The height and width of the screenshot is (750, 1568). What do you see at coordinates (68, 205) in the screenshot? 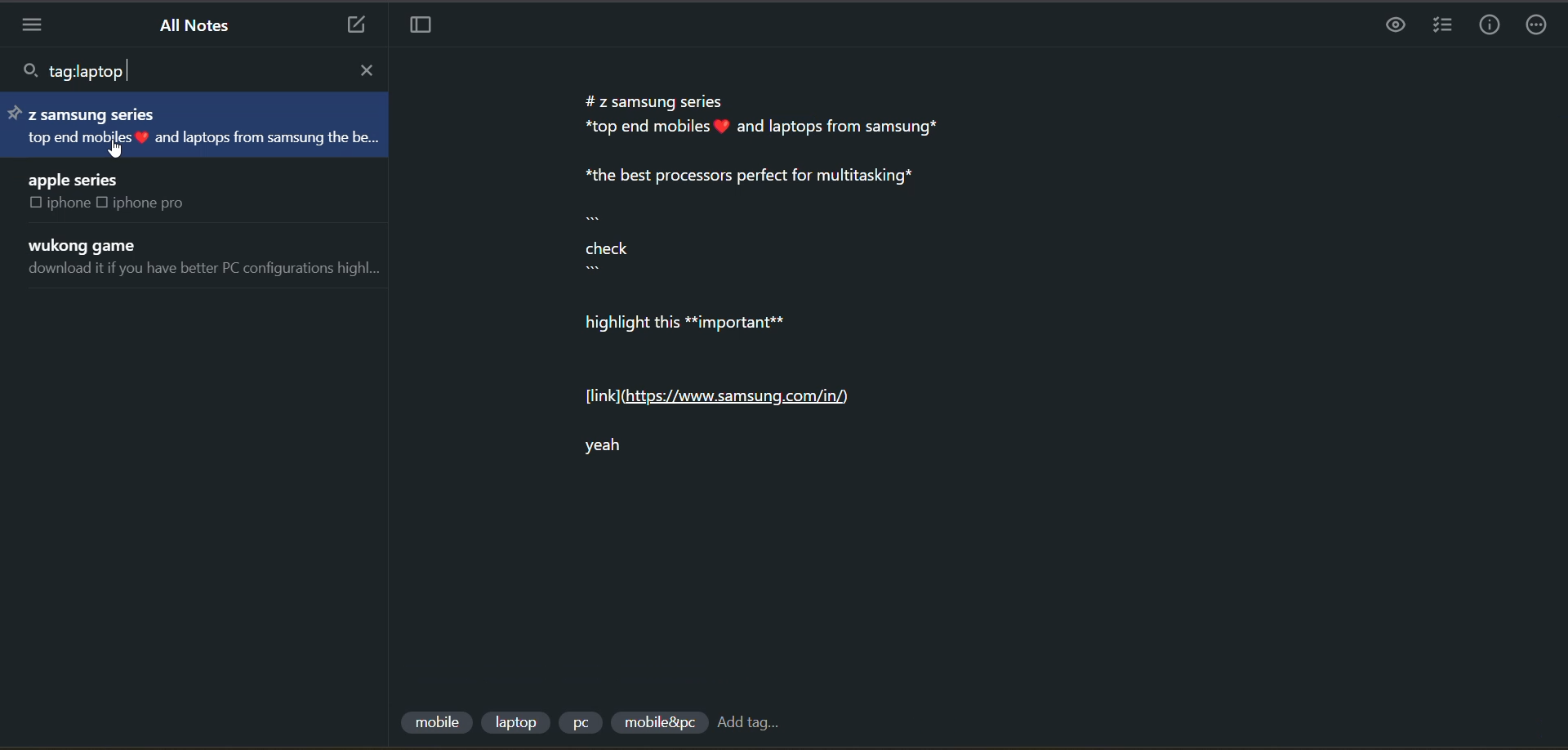
I see ` iphone` at bounding box center [68, 205].